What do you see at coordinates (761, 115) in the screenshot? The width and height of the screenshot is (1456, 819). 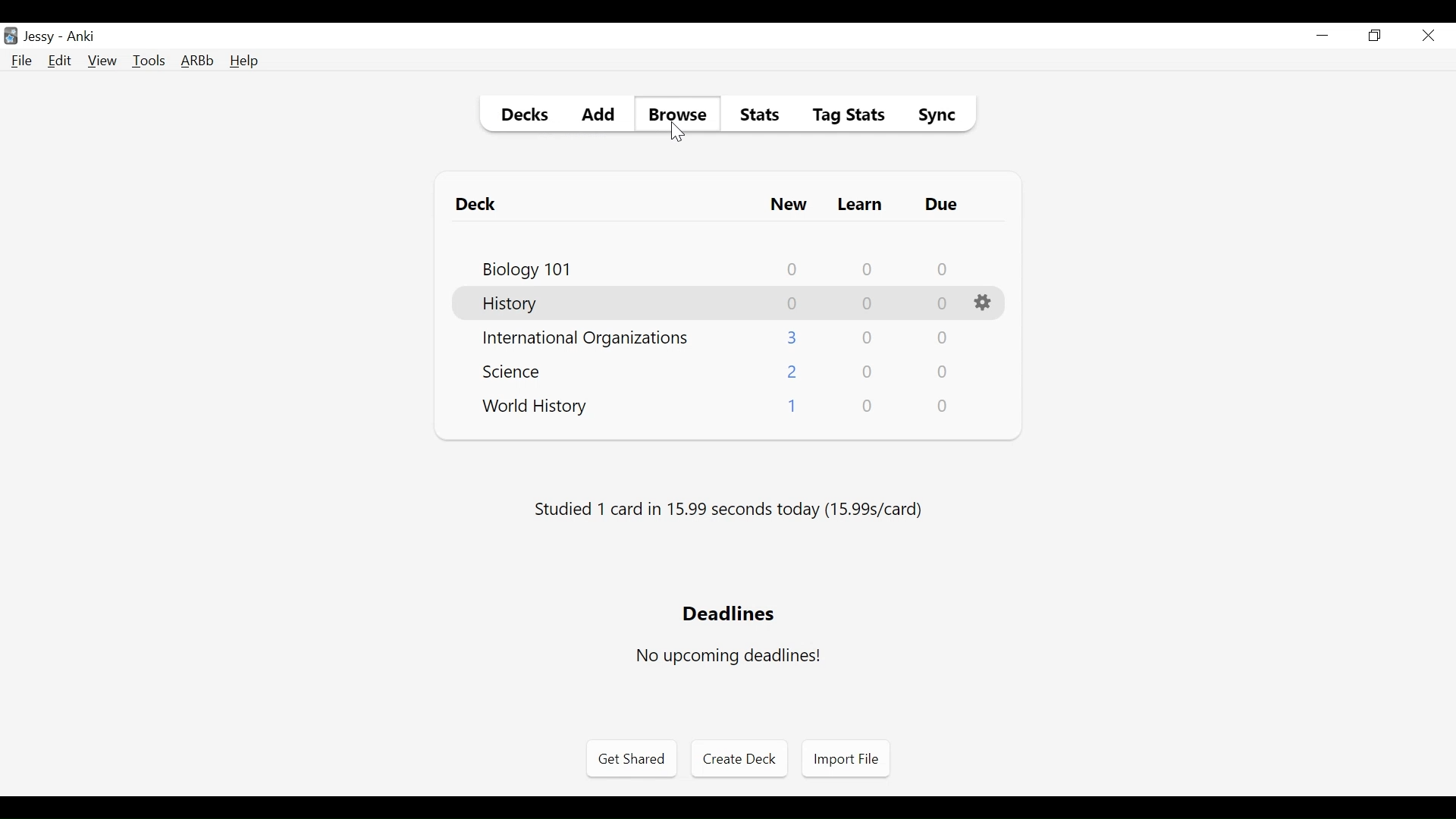 I see `Stats` at bounding box center [761, 115].